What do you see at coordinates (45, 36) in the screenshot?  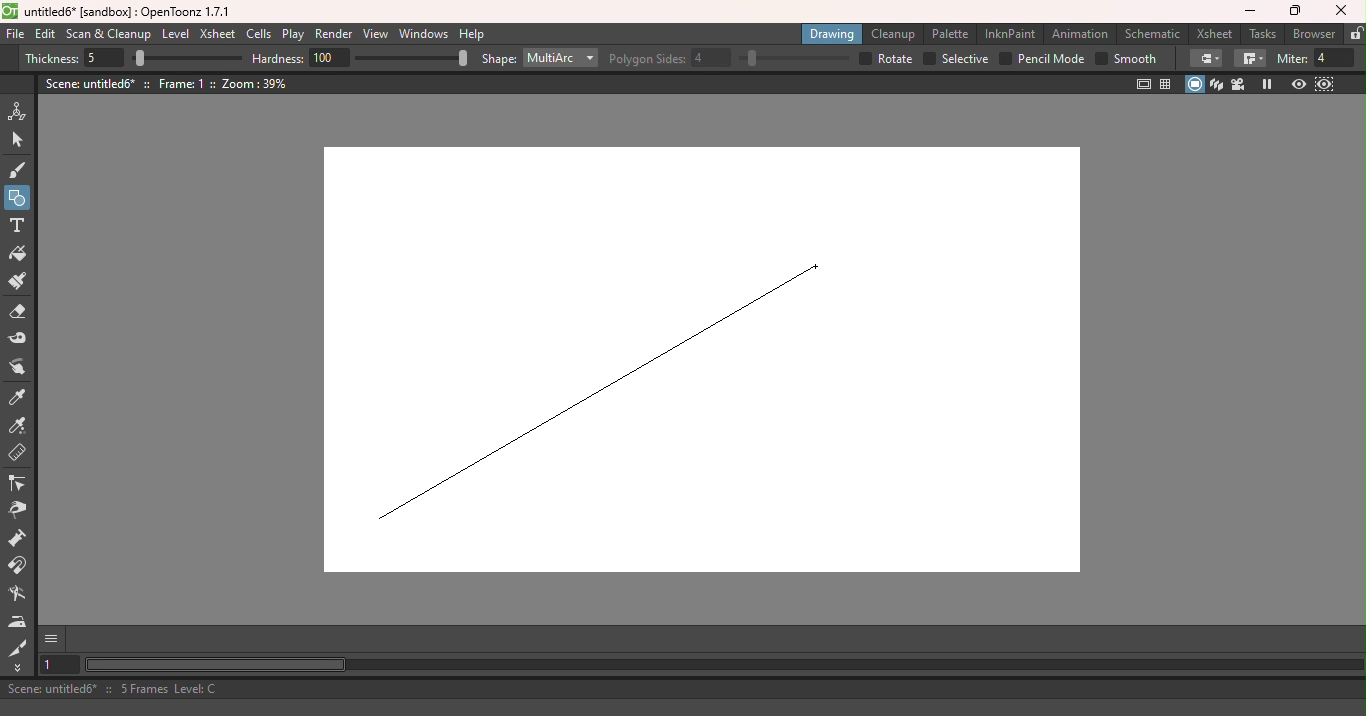 I see `Edit` at bounding box center [45, 36].